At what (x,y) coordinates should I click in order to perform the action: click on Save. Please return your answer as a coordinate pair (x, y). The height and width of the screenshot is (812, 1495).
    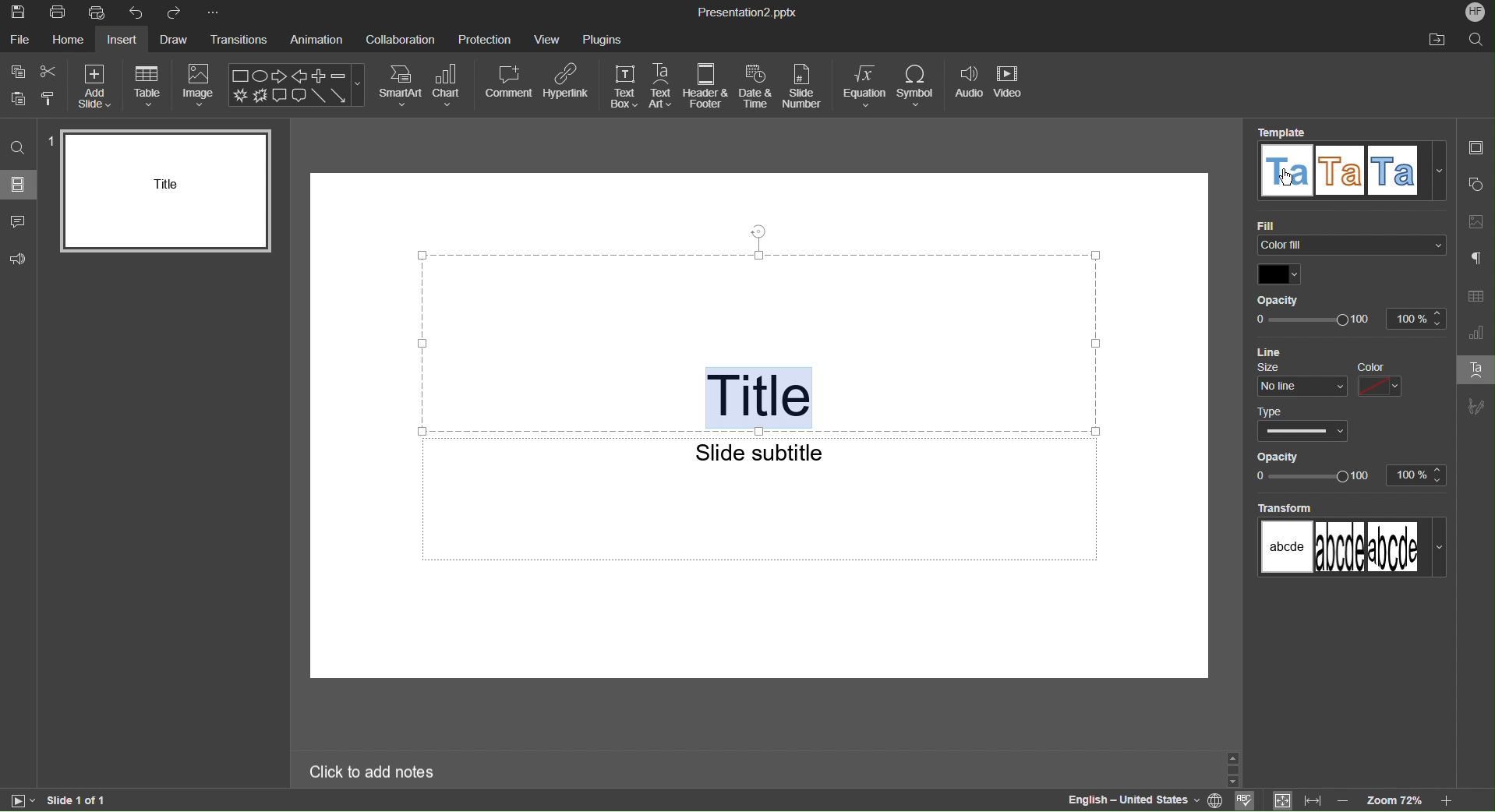
    Looking at the image, I should click on (19, 12).